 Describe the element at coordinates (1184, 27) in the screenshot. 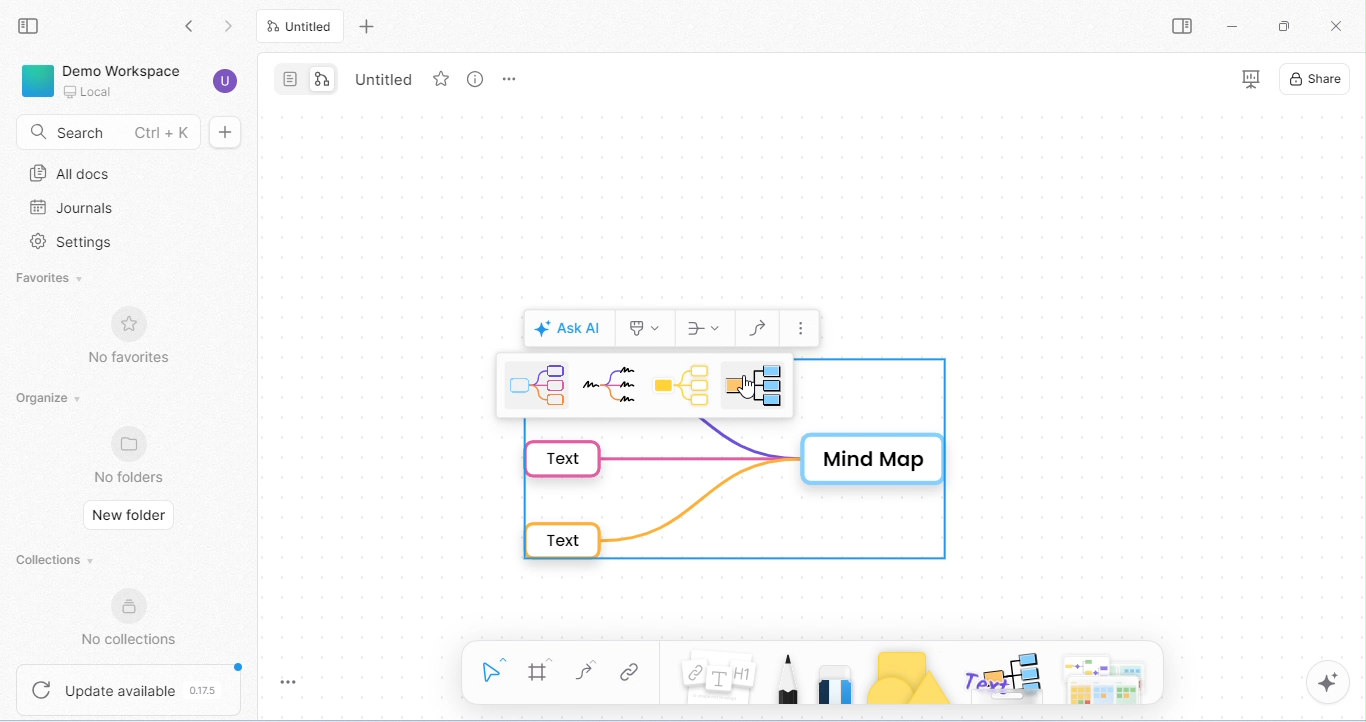

I see `open side bar` at that location.